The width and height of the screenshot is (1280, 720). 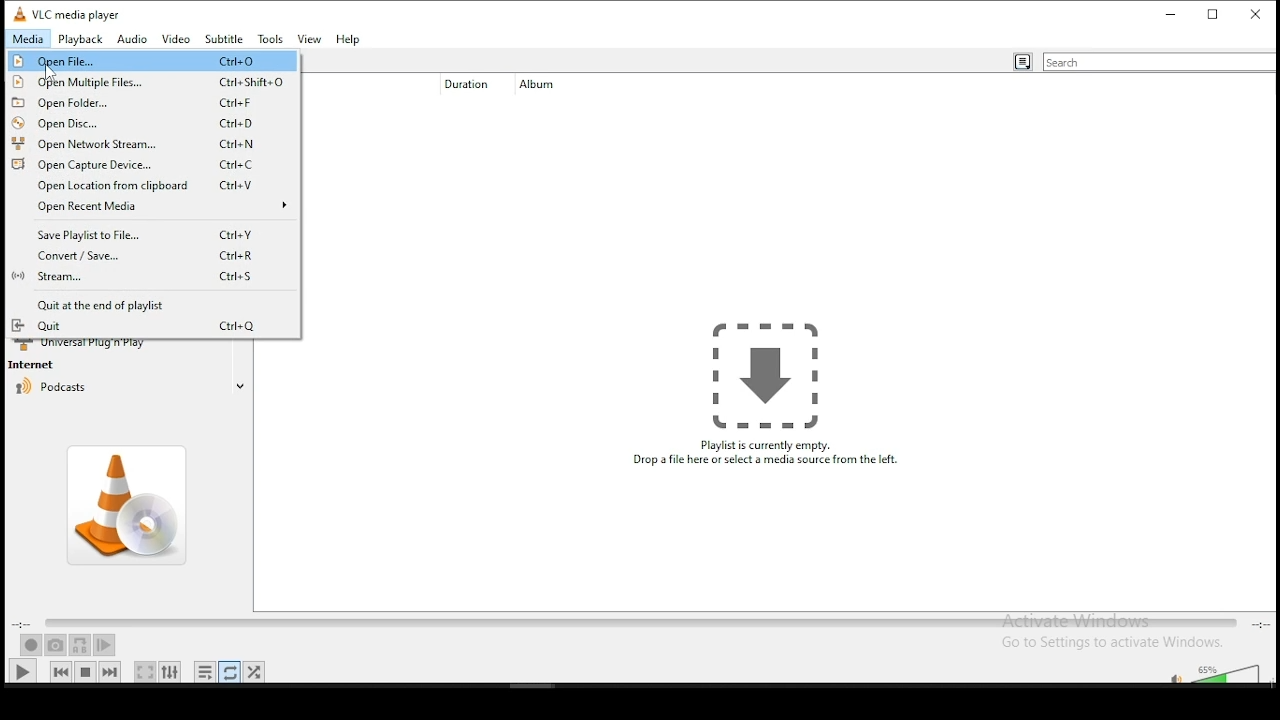 I want to click on open capture device, so click(x=154, y=163).